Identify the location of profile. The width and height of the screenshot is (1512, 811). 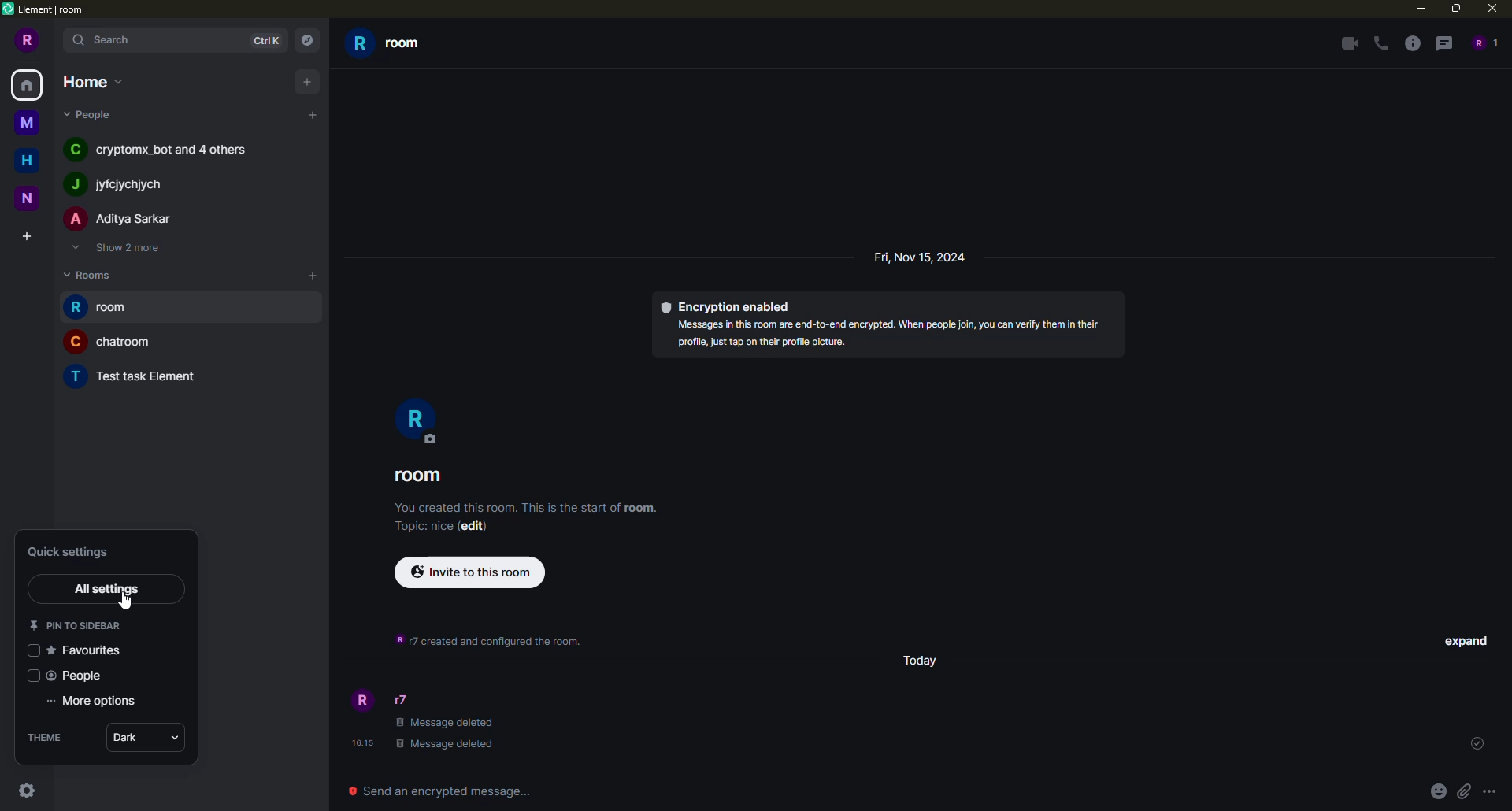
(413, 420).